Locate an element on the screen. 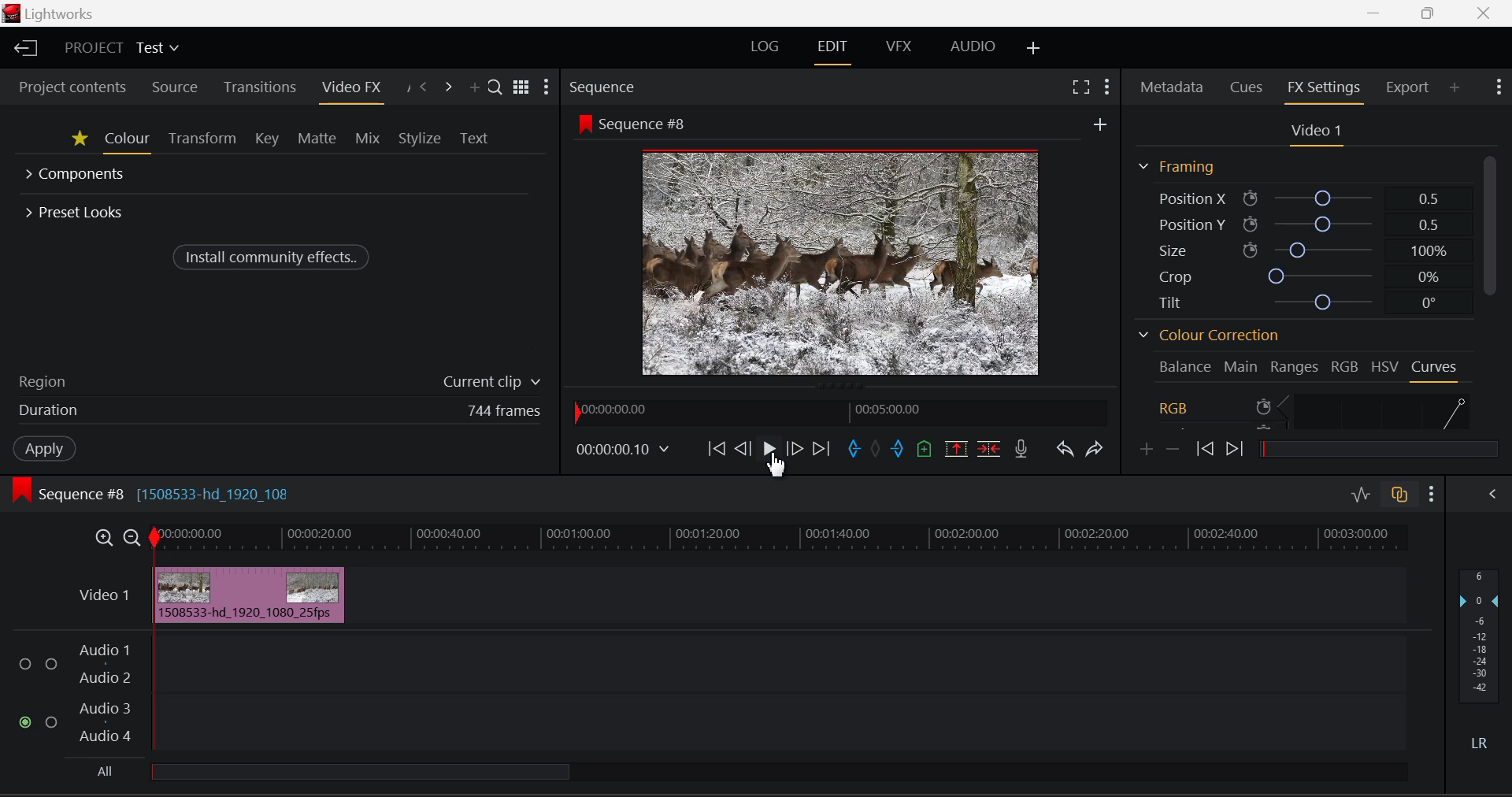 The image size is (1512, 797). Tilt is located at coordinates (1298, 301).